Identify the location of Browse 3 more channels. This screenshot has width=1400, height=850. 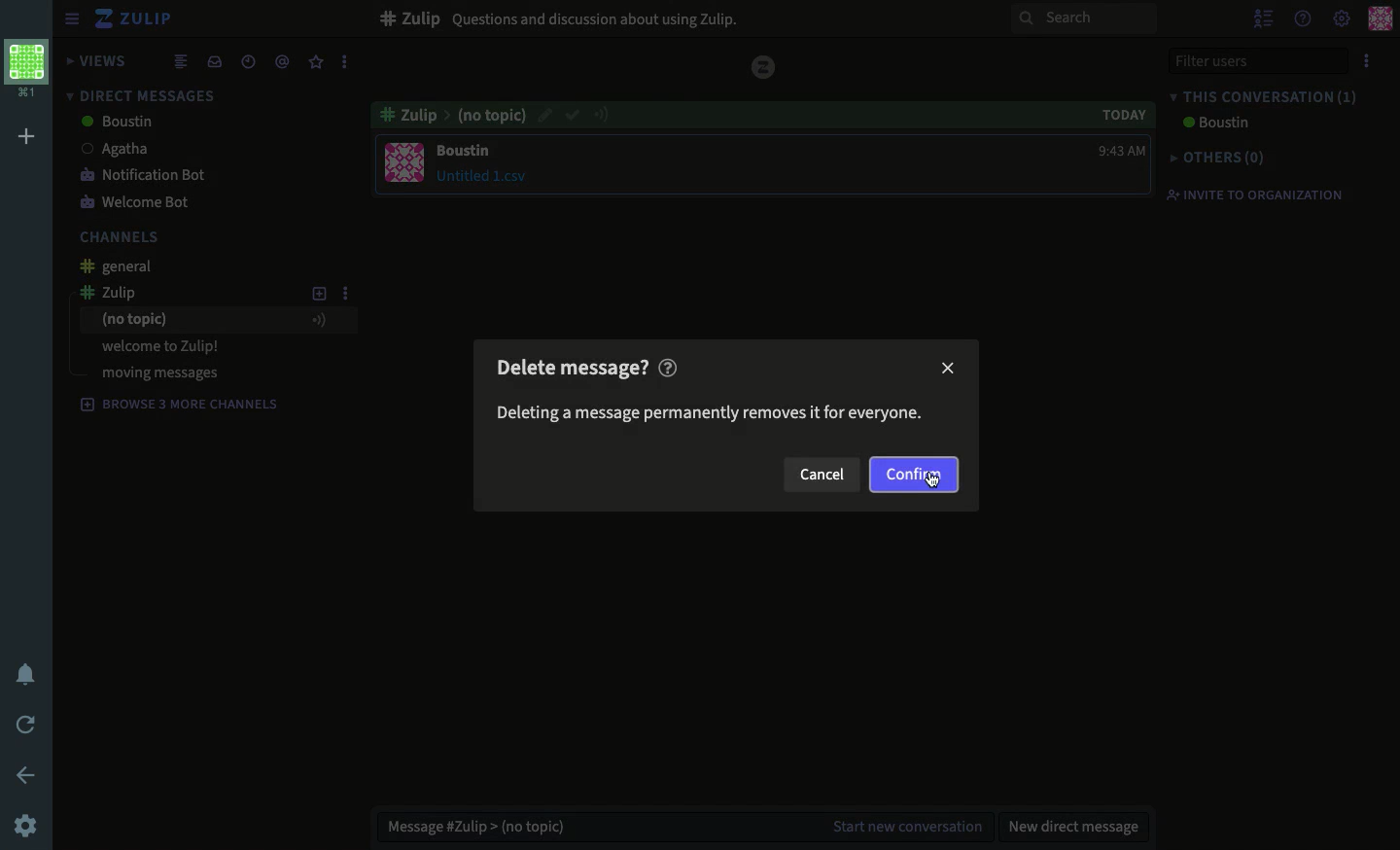
(181, 406).